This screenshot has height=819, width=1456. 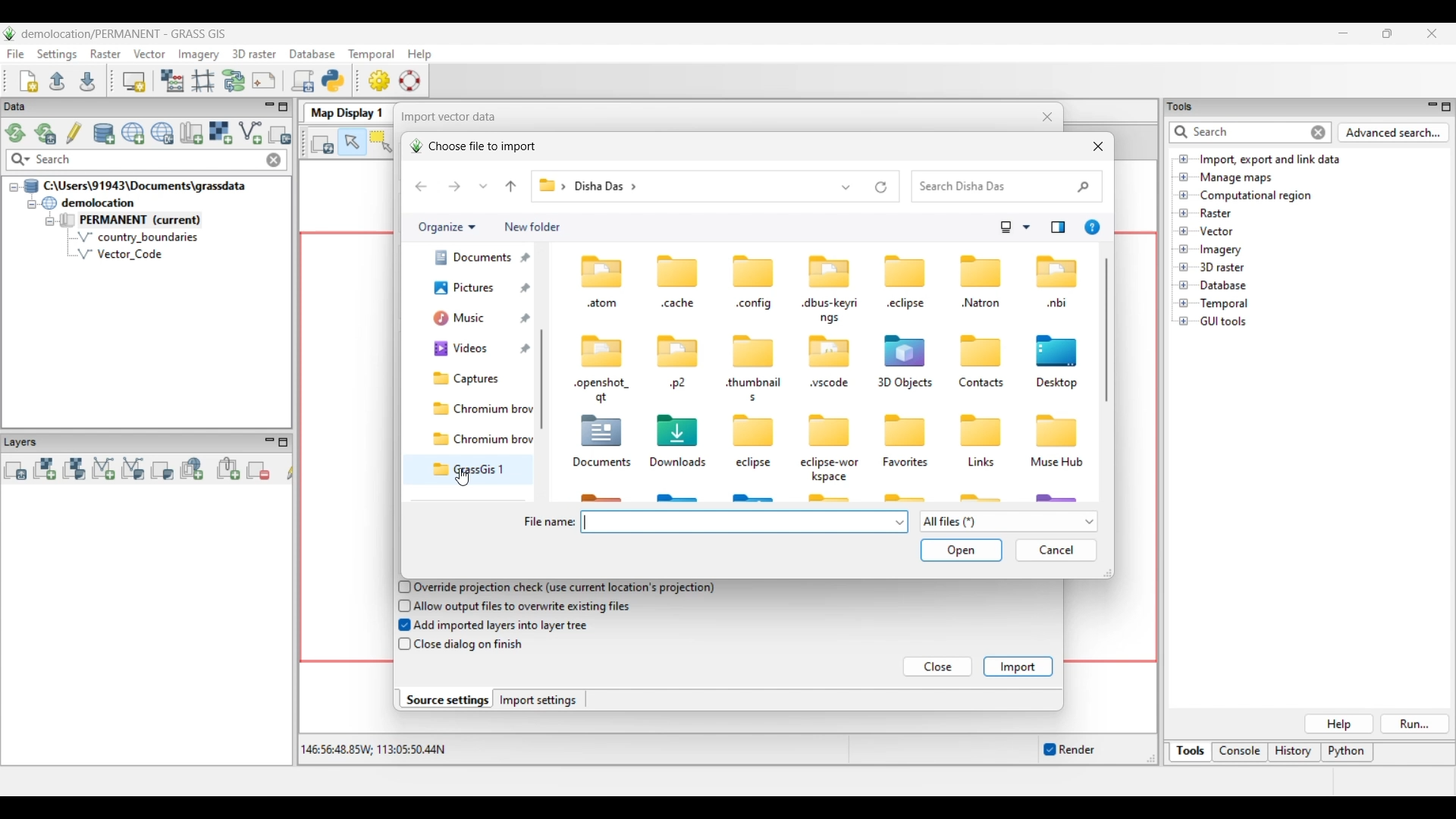 What do you see at coordinates (284, 107) in the screenshot?
I see `Maximize Data panel` at bounding box center [284, 107].